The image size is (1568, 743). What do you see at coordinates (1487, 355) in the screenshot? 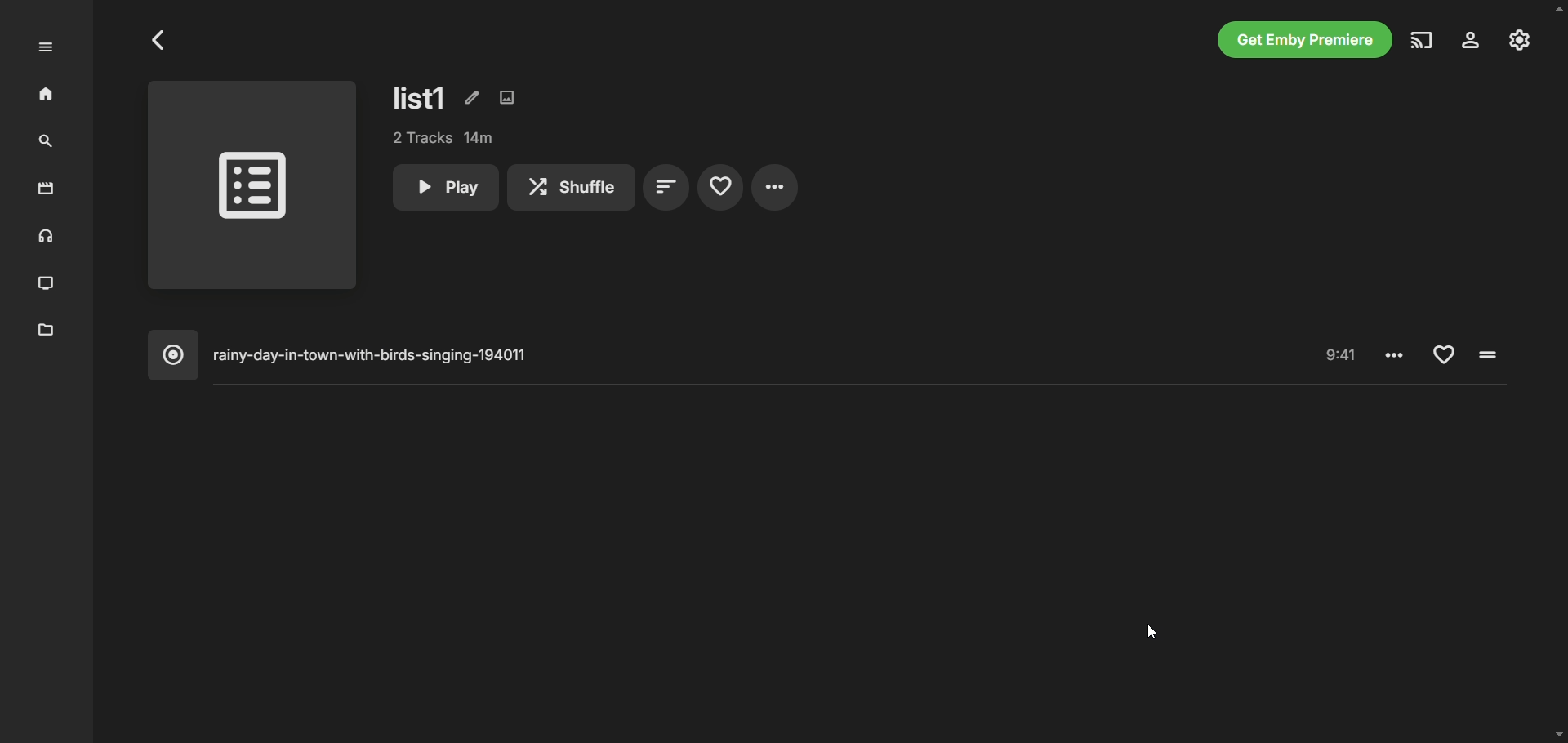
I see `Pause/Play` at bounding box center [1487, 355].